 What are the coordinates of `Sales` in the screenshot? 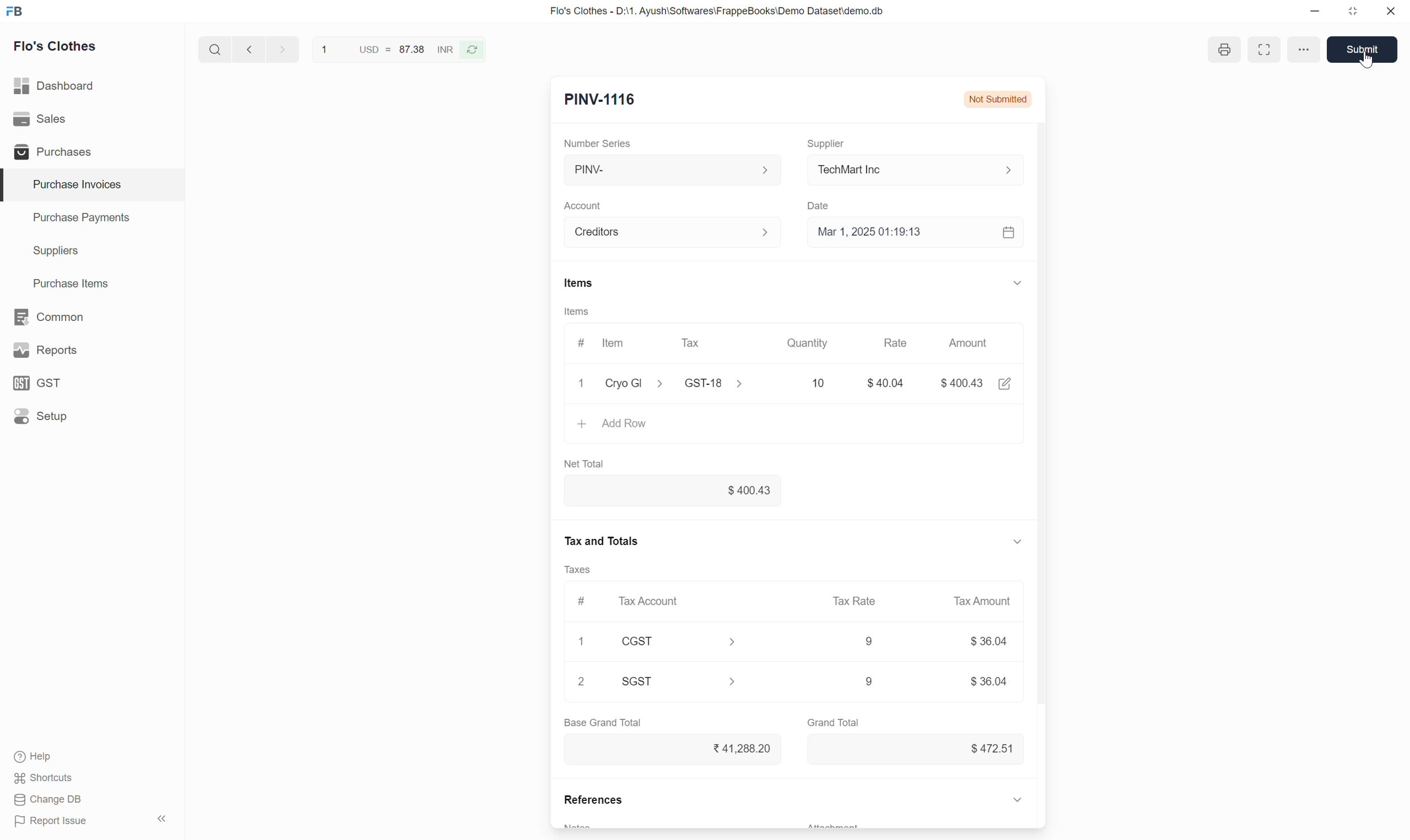 It's located at (42, 119).